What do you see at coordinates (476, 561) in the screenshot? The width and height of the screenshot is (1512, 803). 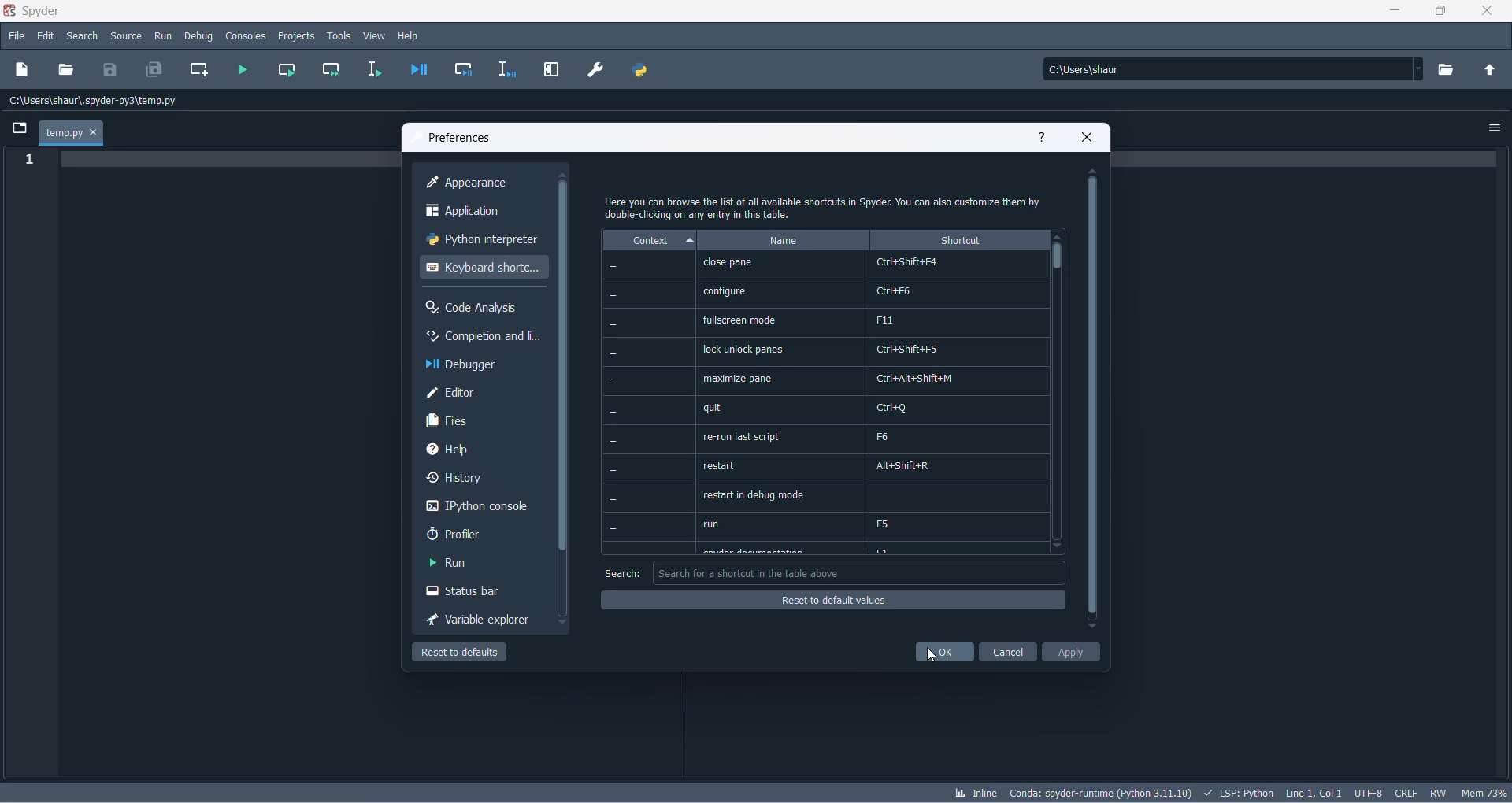 I see `run` at bounding box center [476, 561].